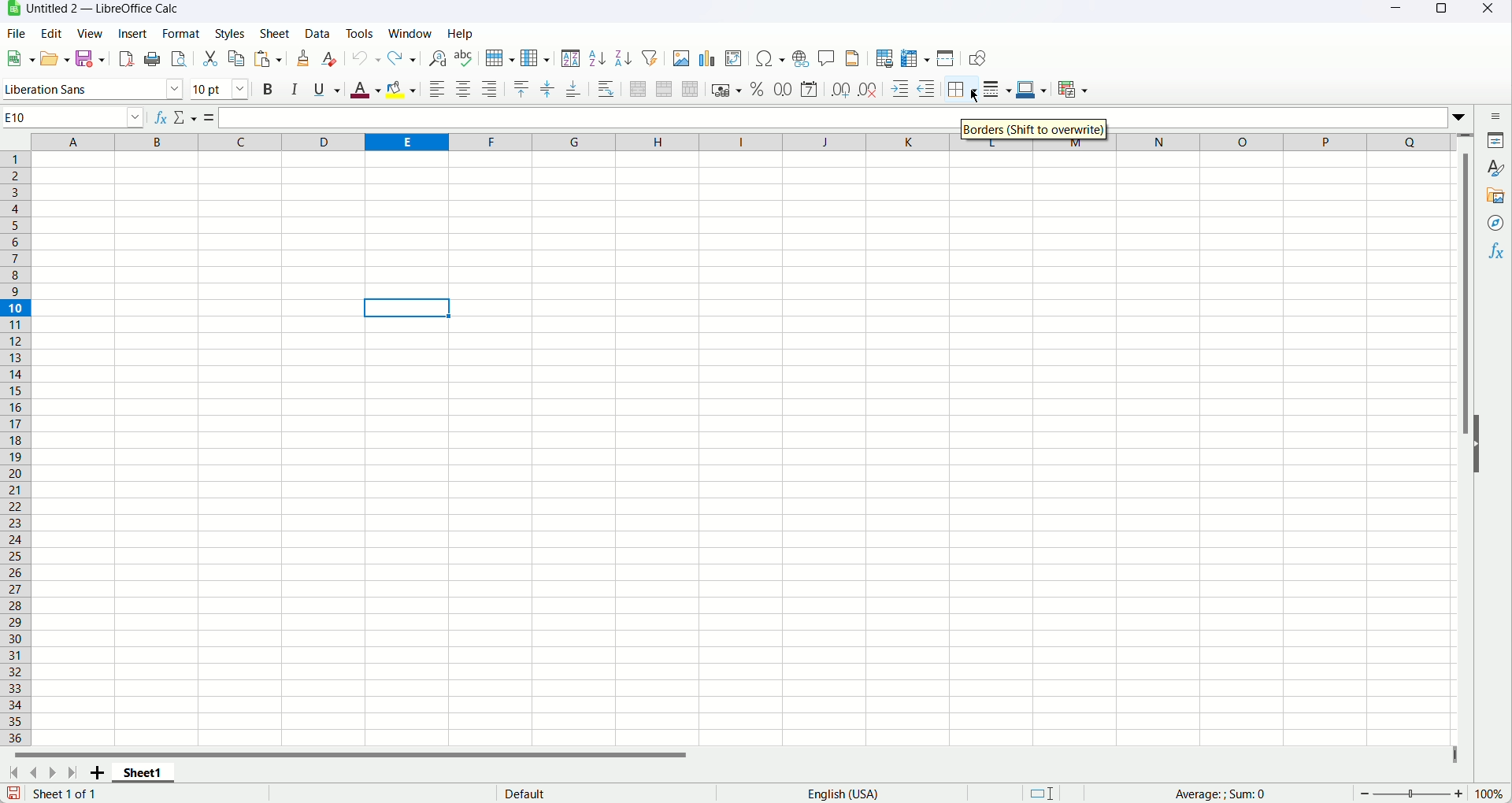 This screenshot has height=803, width=1512. I want to click on Freeze rows and columns, so click(916, 57).